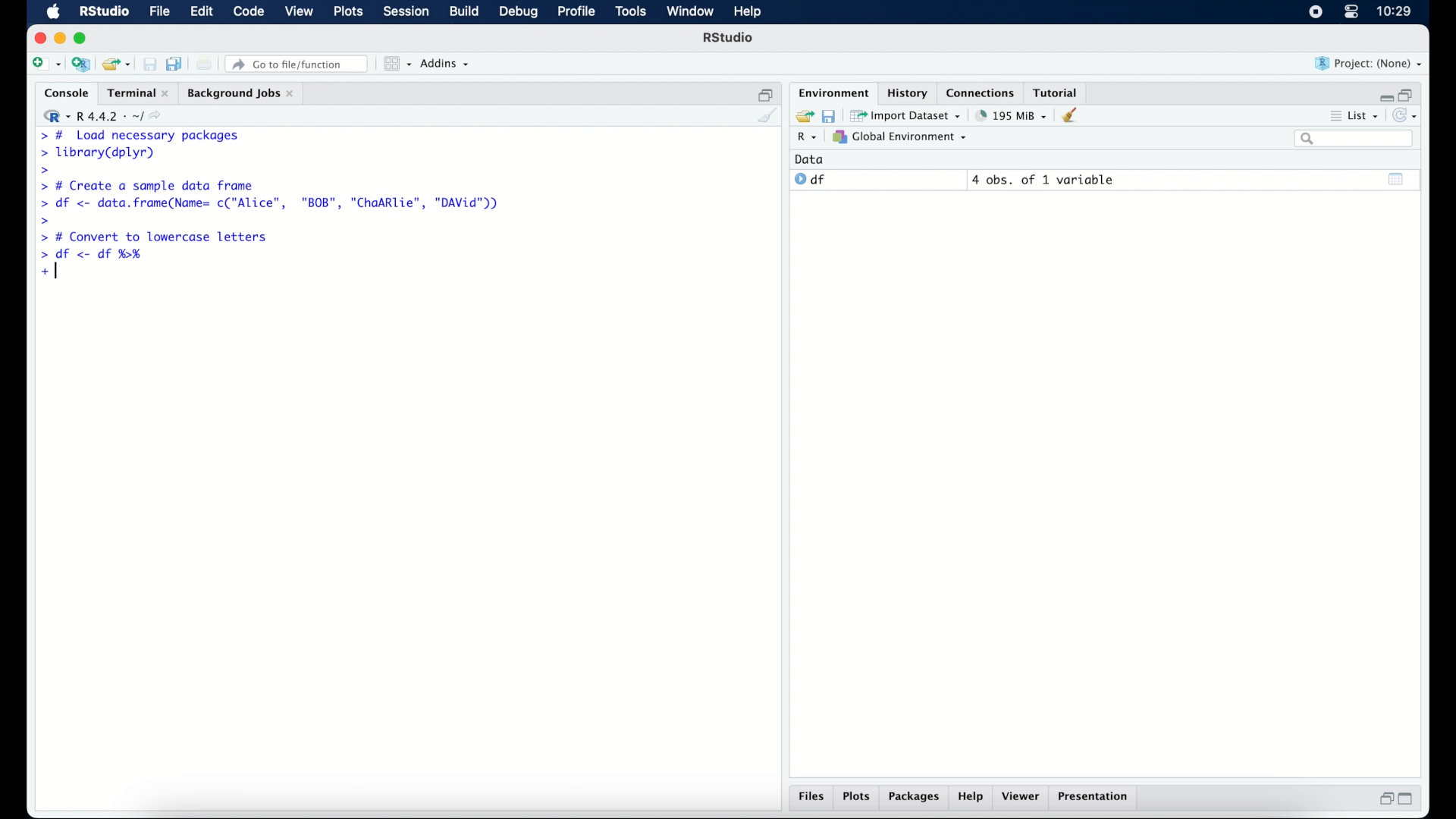 The width and height of the screenshot is (1456, 819). I want to click on show output  window, so click(1397, 178).